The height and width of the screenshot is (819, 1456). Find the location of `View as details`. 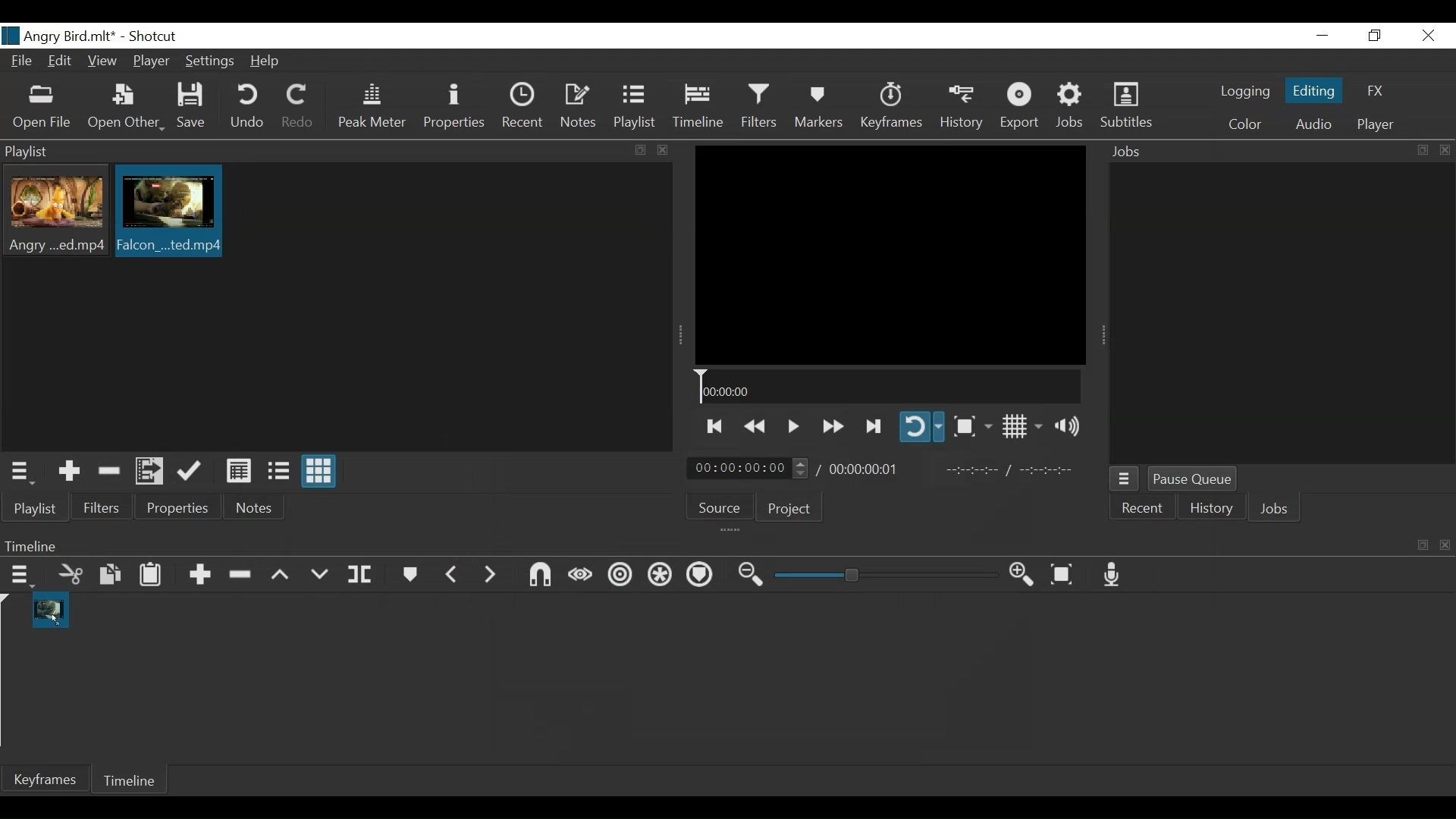

View as details is located at coordinates (240, 472).